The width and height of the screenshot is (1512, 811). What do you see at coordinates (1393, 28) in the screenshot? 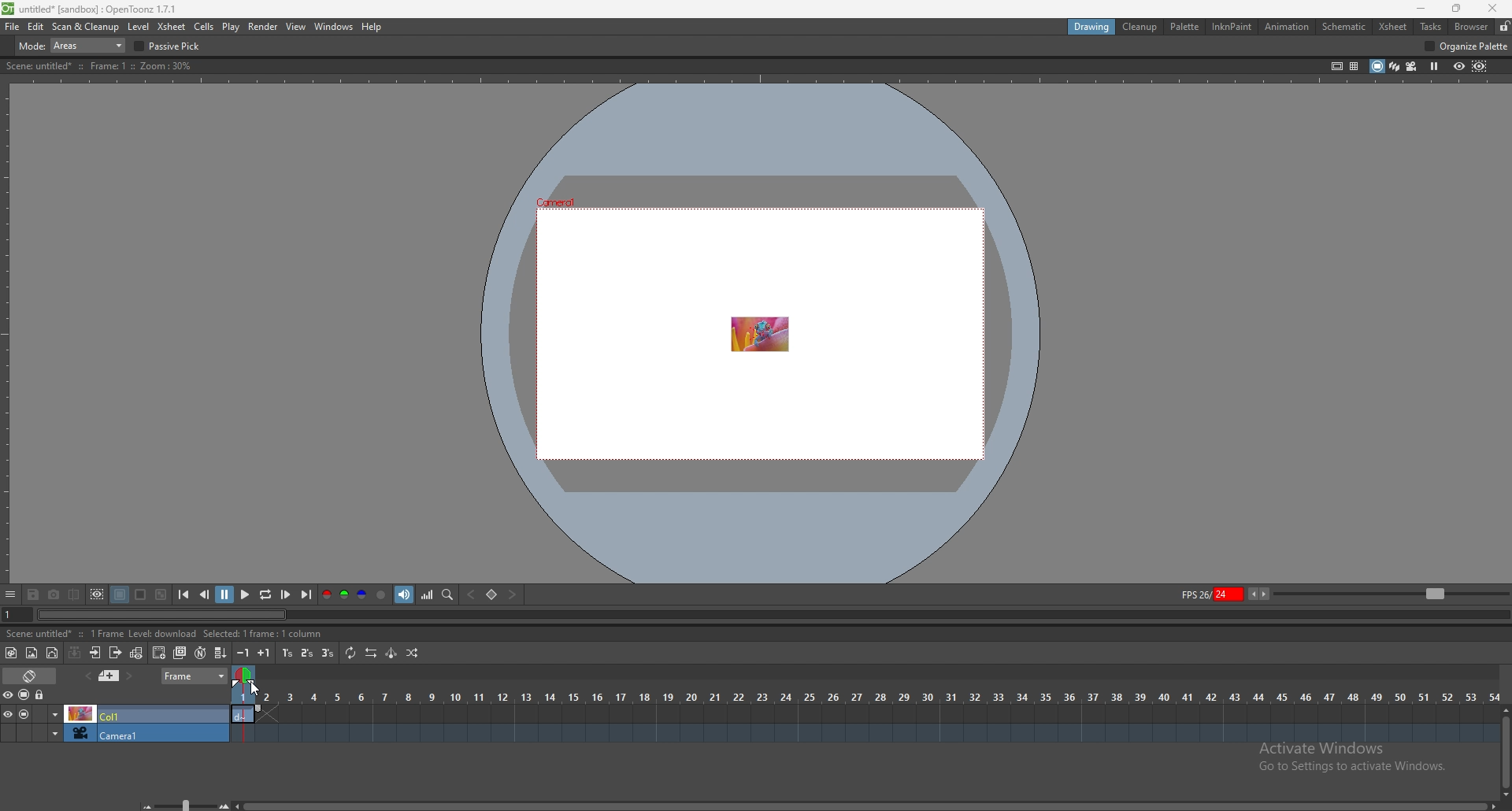
I see `xsheet` at bounding box center [1393, 28].